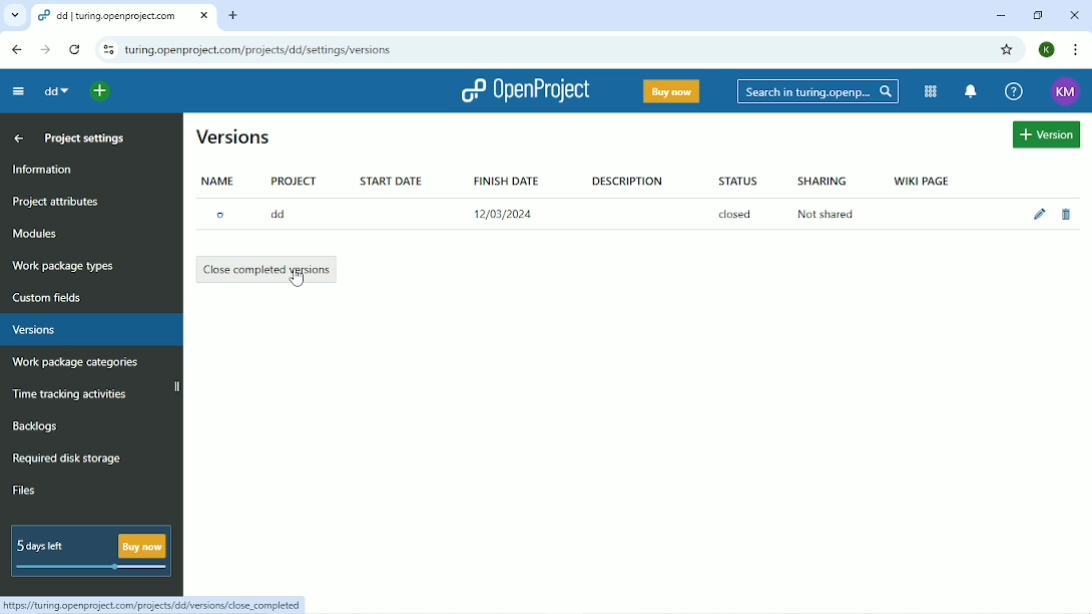 This screenshot has height=614, width=1092. Describe the element at coordinates (20, 139) in the screenshot. I see `Up` at that location.